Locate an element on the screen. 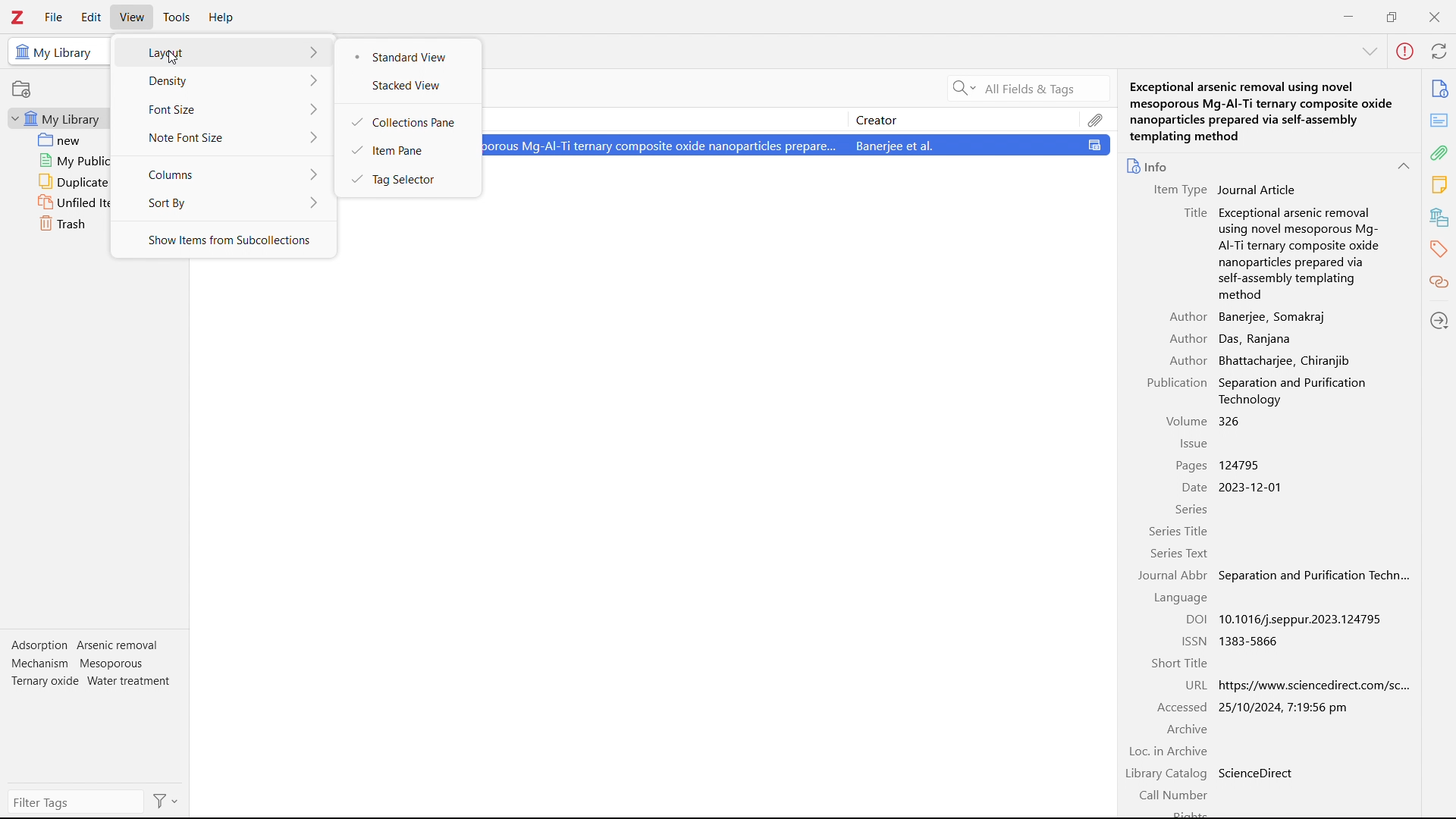 This screenshot has height=819, width=1456. Issue is located at coordinates (1194, 442).